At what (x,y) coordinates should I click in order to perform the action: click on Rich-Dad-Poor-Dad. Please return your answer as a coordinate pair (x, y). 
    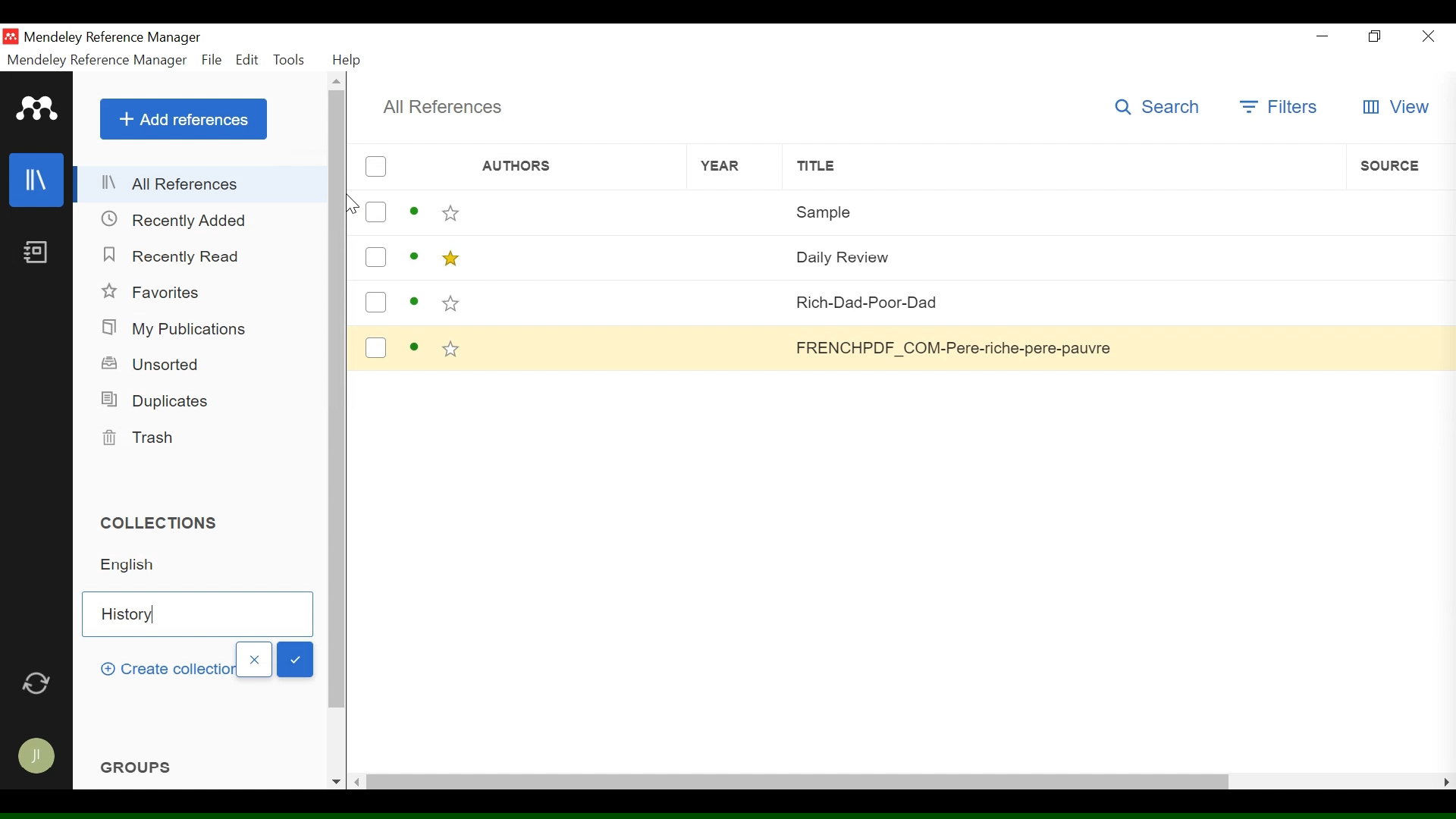
    Looking at the image, I should click on (1064, 303).